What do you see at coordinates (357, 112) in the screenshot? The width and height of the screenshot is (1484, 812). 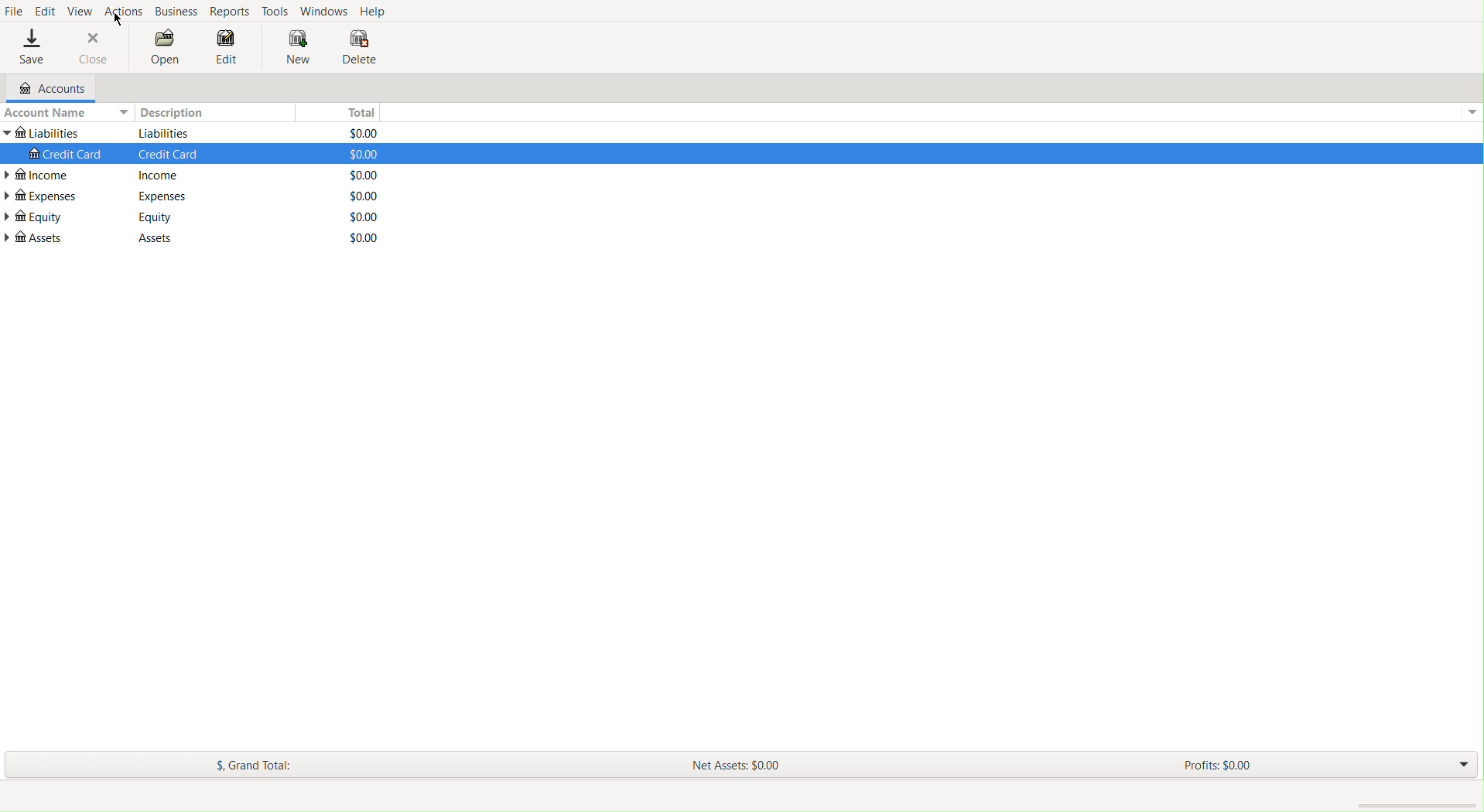 I see `Total` at bounding box center [357, 112].